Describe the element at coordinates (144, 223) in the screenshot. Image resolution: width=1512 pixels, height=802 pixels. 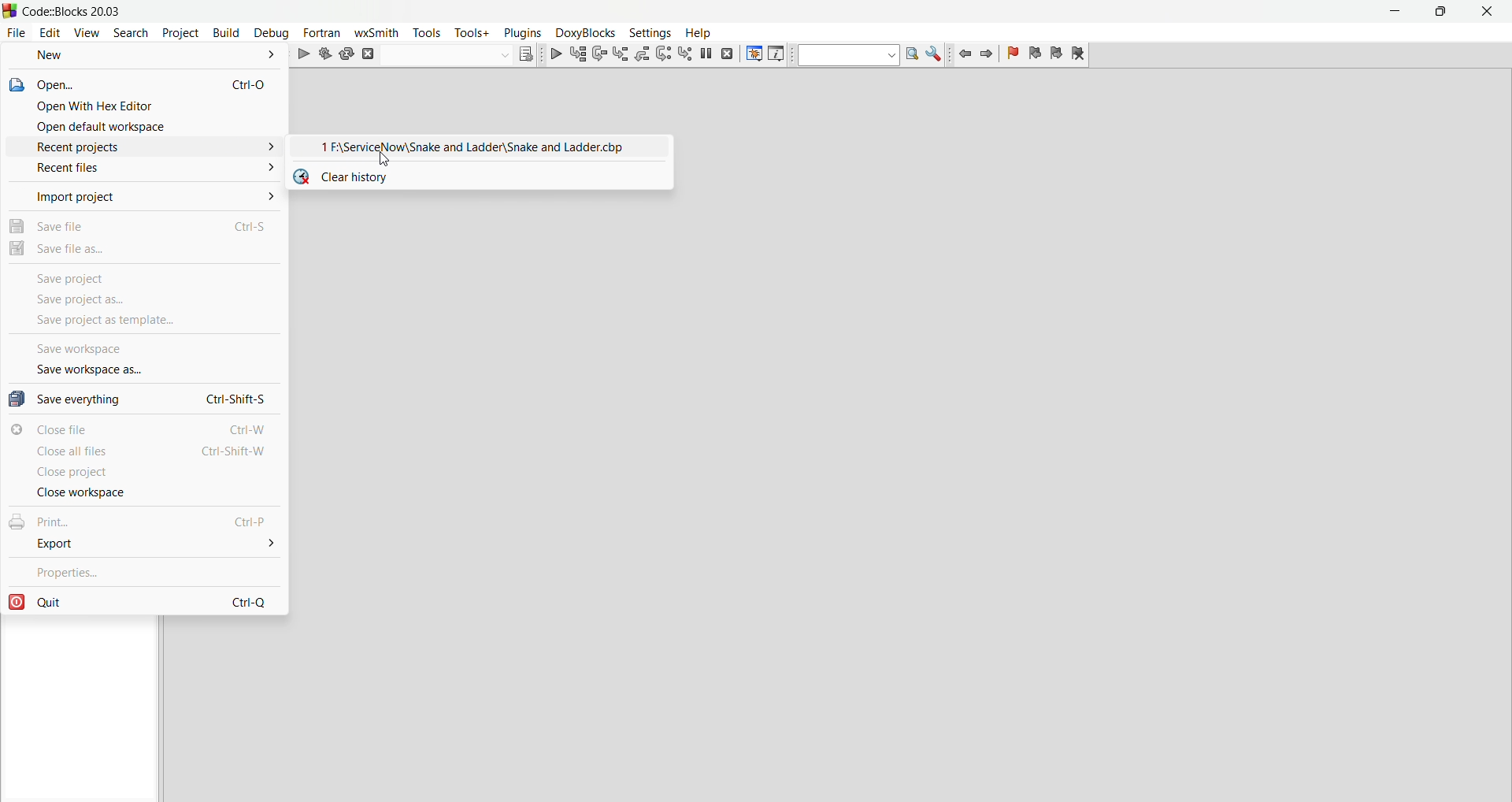
I see `save file` at that location.